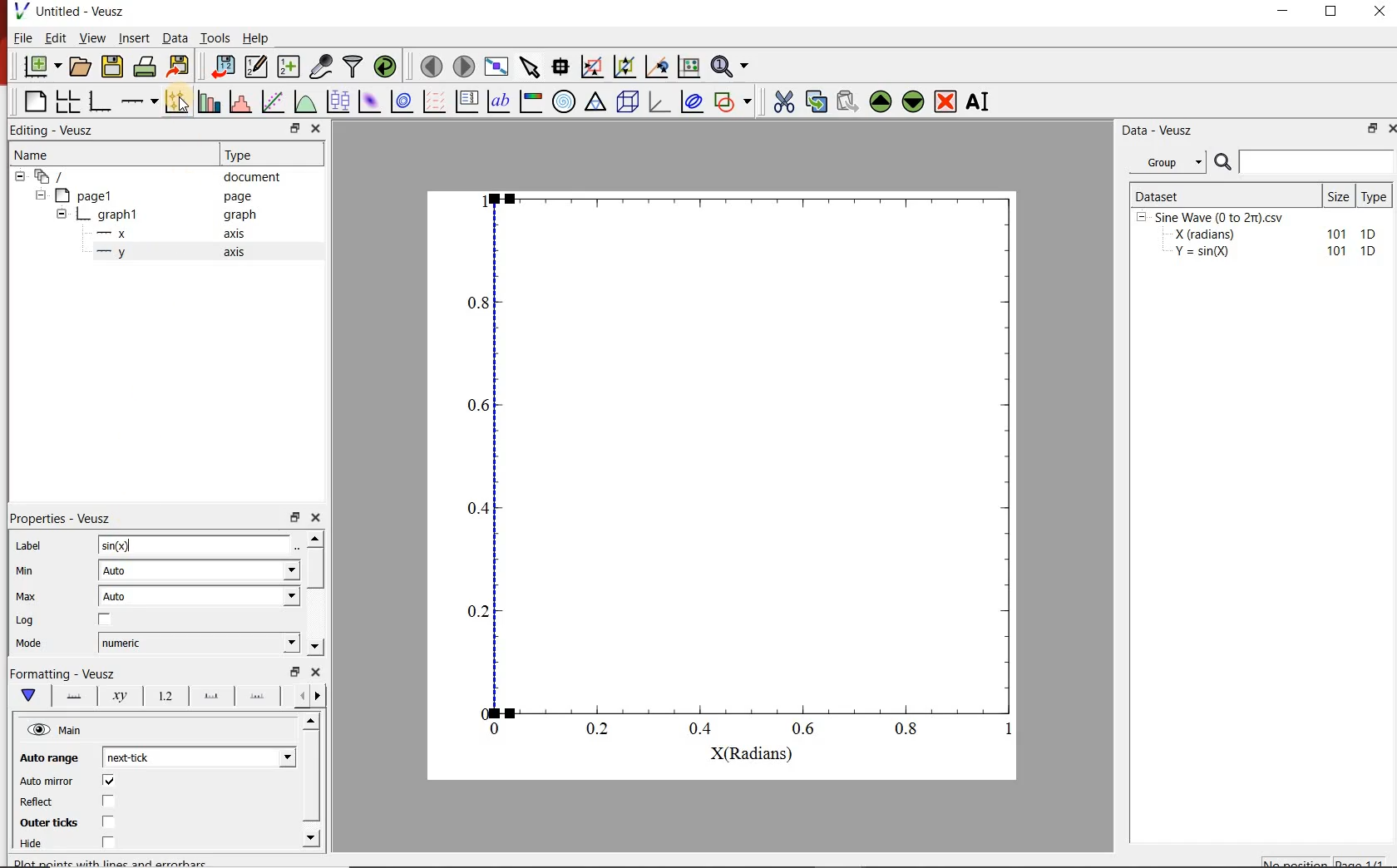 The width and height of the screenshot is (1397, 868). I want to click on move up, so click(881, 101).